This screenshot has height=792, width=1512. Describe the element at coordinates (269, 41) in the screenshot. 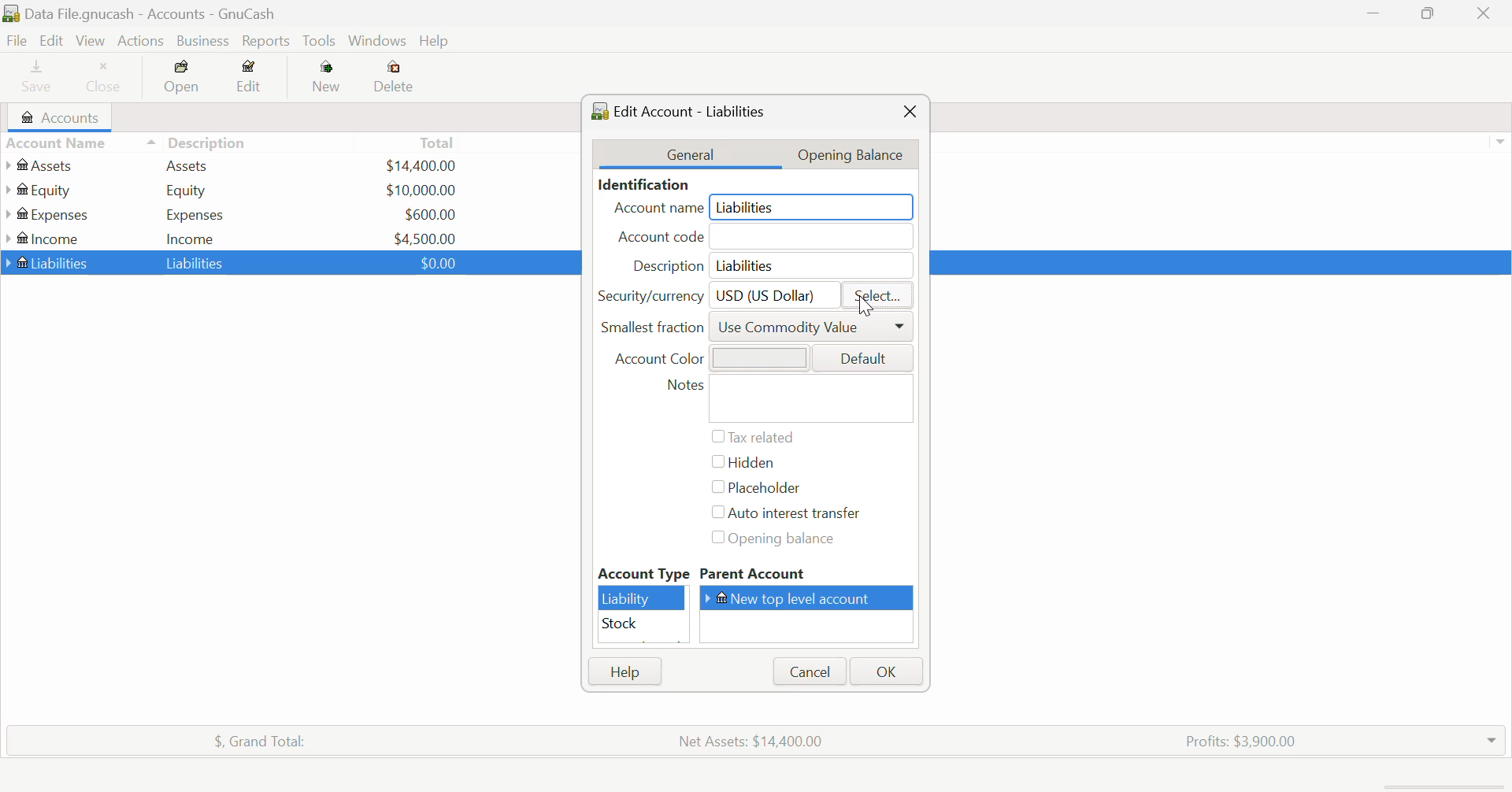

I see `Reports` at that location.